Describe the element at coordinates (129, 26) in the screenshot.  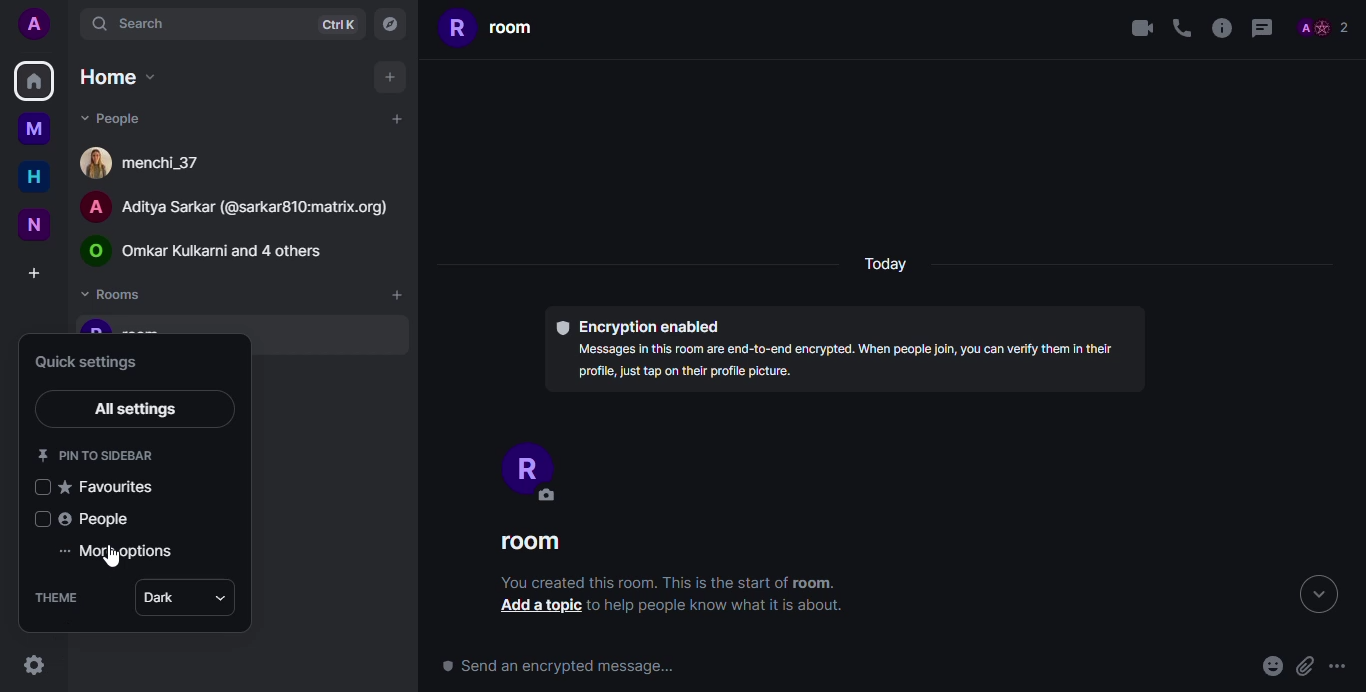
I see `search` at that location.